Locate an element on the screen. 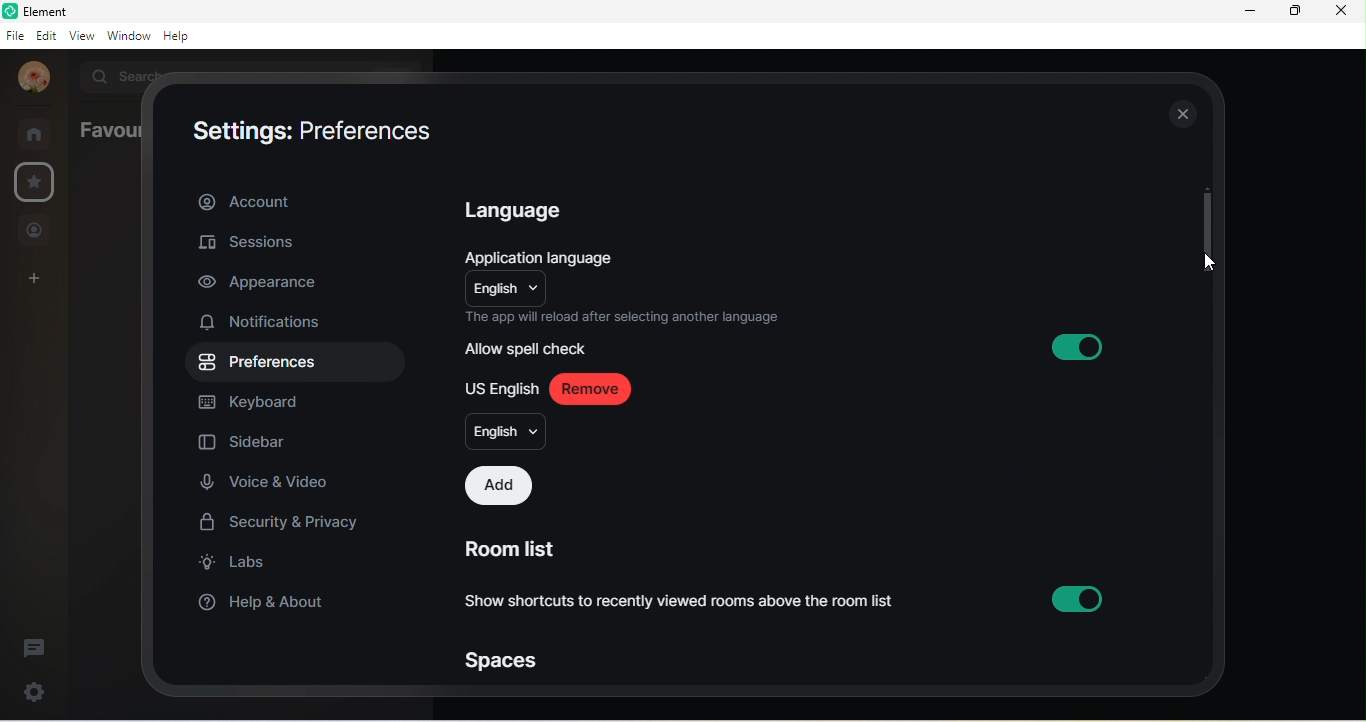 The height and width of the screenshot is (722, 1366). help and about is located at coordinates (263, 605).